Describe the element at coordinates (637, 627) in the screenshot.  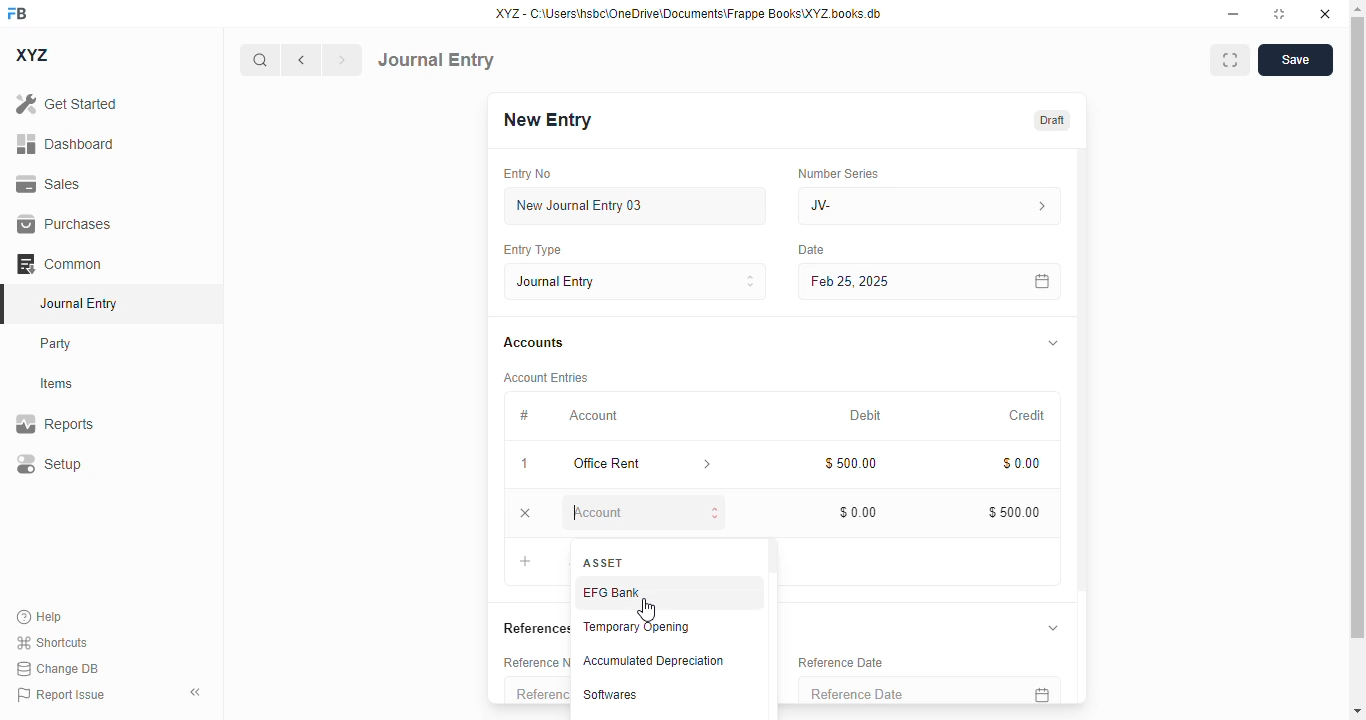
I see `temporary opening` at that location.